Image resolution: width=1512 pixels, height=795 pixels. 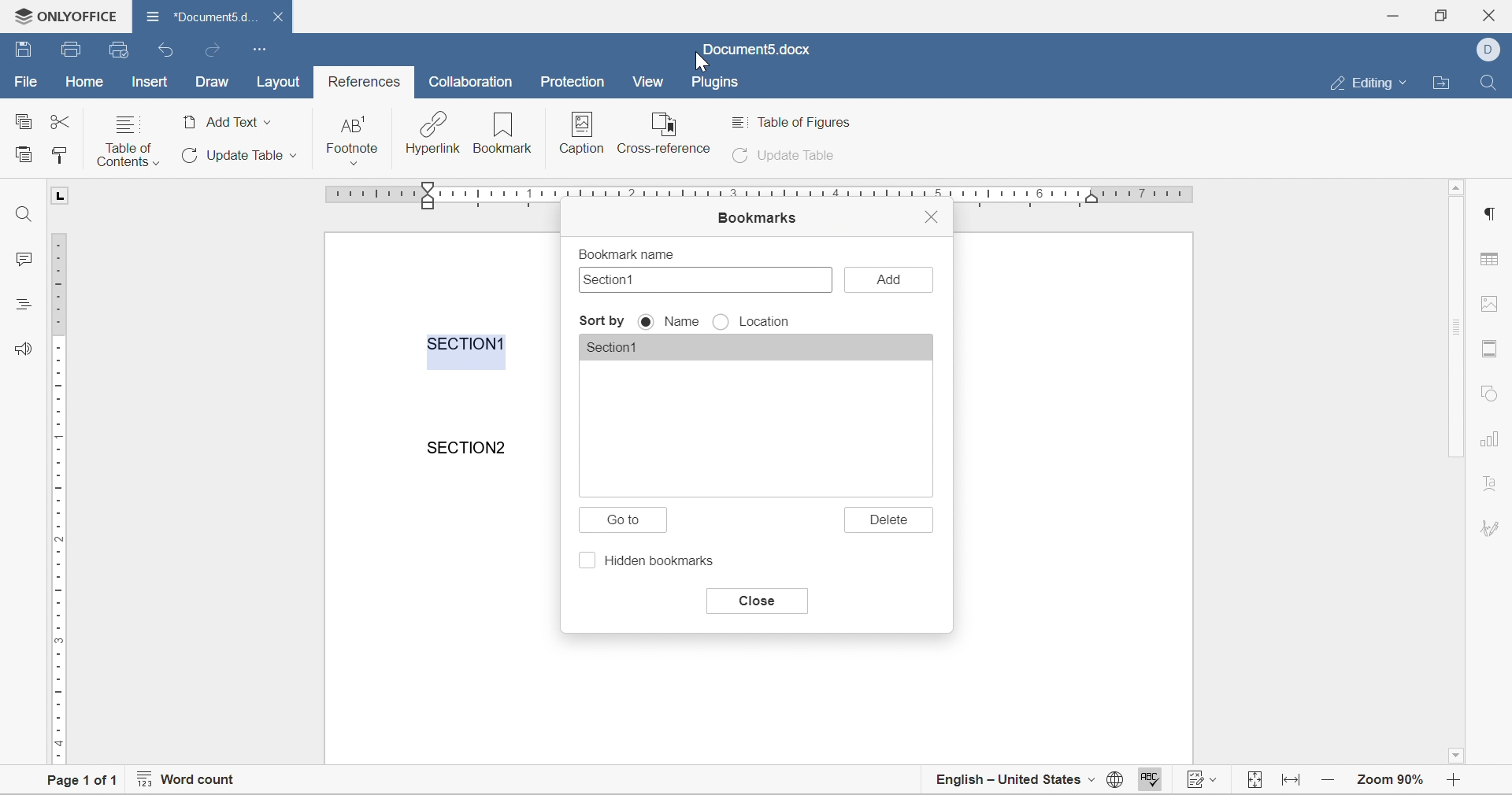 What do you see at coordinates (200, 15) in the screenshot?
I see `document name` at bounding box center [200, 15].